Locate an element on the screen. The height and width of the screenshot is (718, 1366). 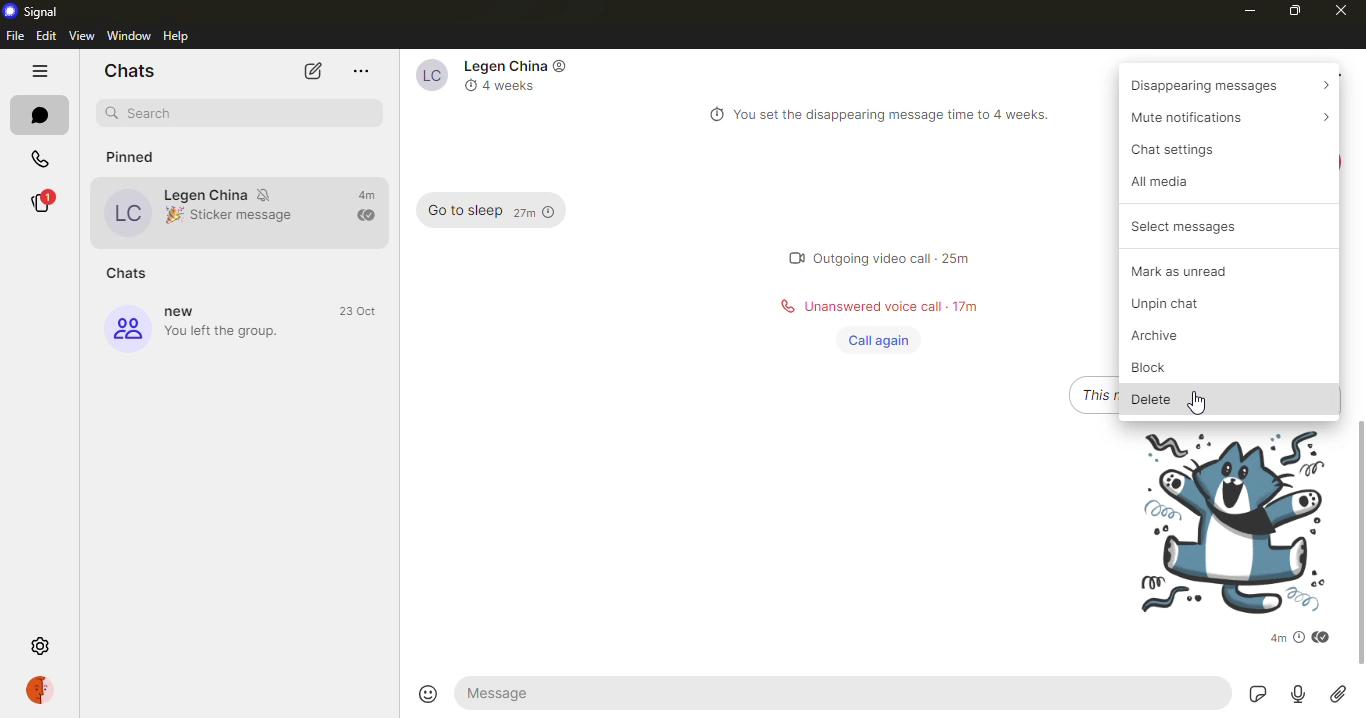
scroll bar is located at coordinates (1360, 546).